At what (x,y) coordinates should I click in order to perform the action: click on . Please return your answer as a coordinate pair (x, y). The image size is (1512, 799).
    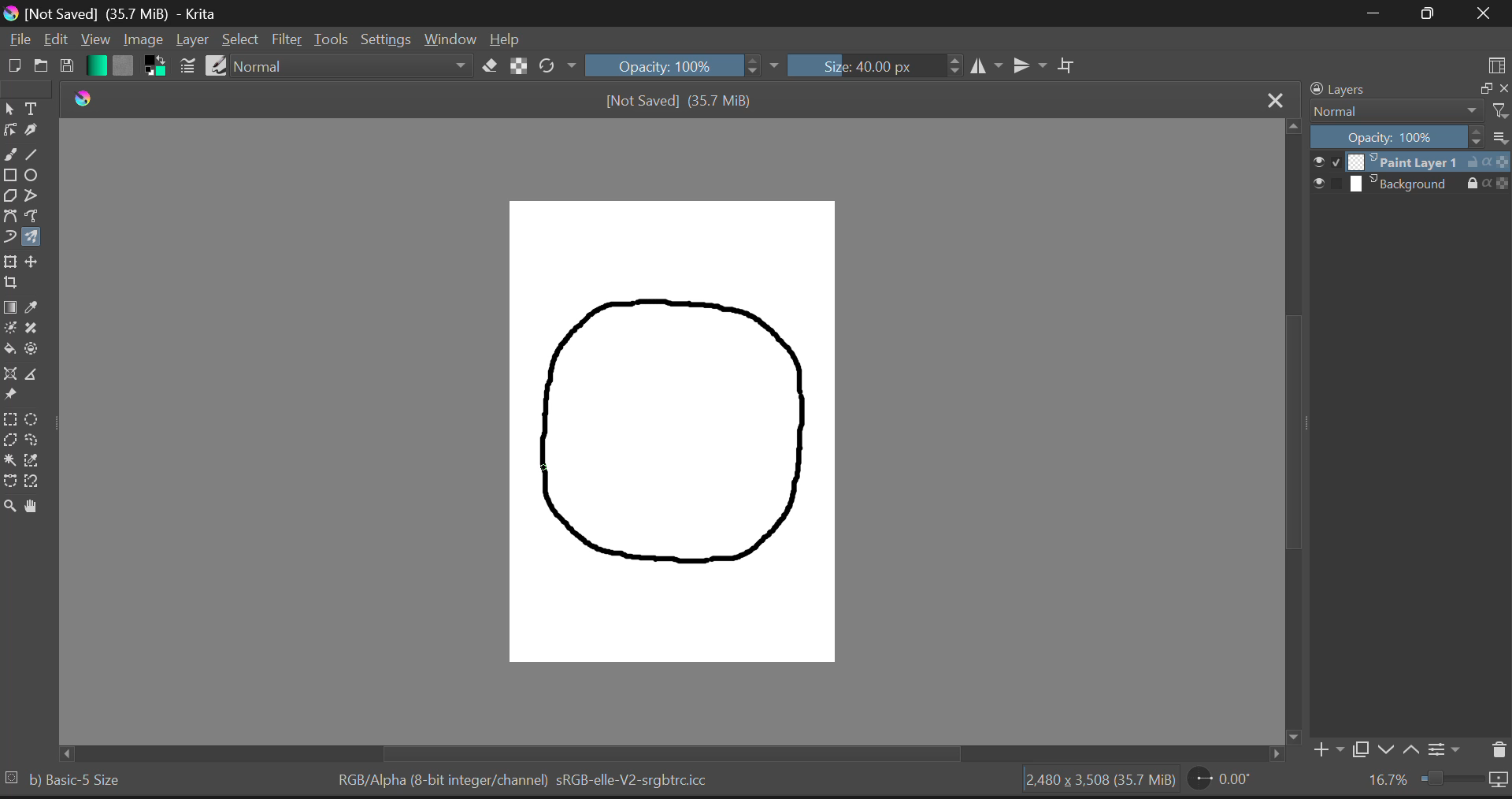
    Looking at the image, I should click on (60, 753).